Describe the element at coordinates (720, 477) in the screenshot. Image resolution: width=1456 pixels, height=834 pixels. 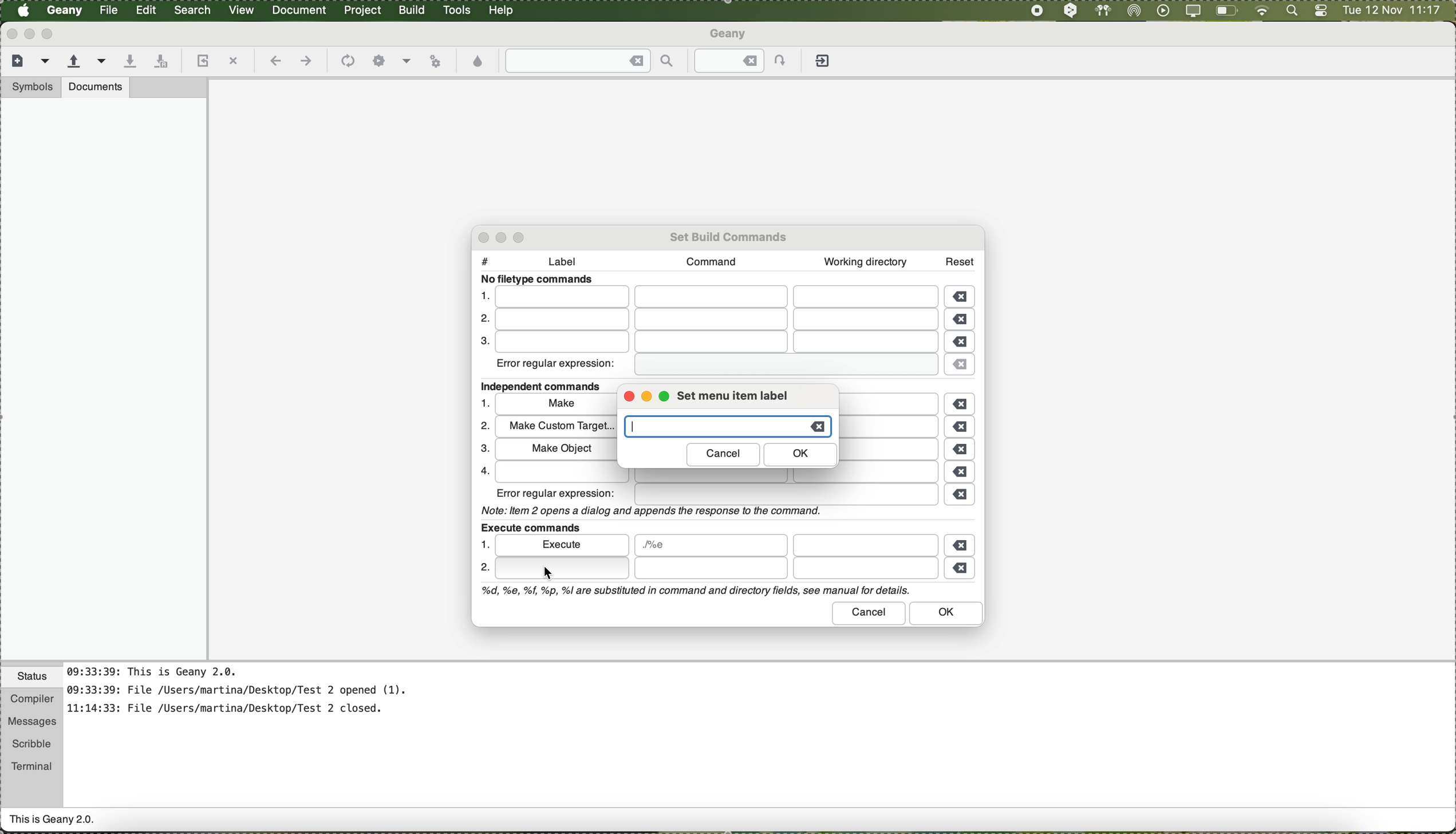
I see `file` at that location.